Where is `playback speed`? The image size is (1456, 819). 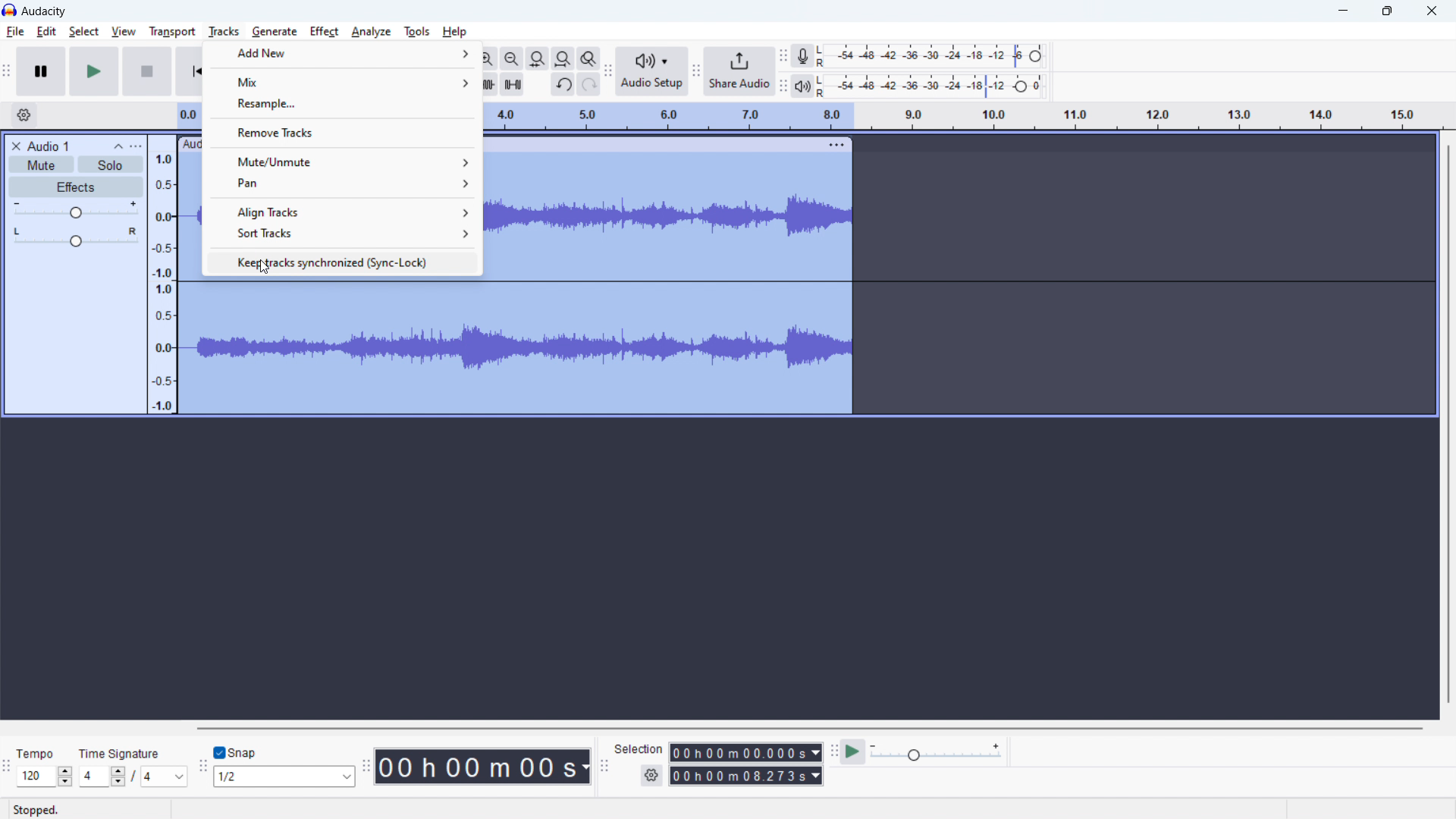
playback speed is located at coordinates (937, 752).